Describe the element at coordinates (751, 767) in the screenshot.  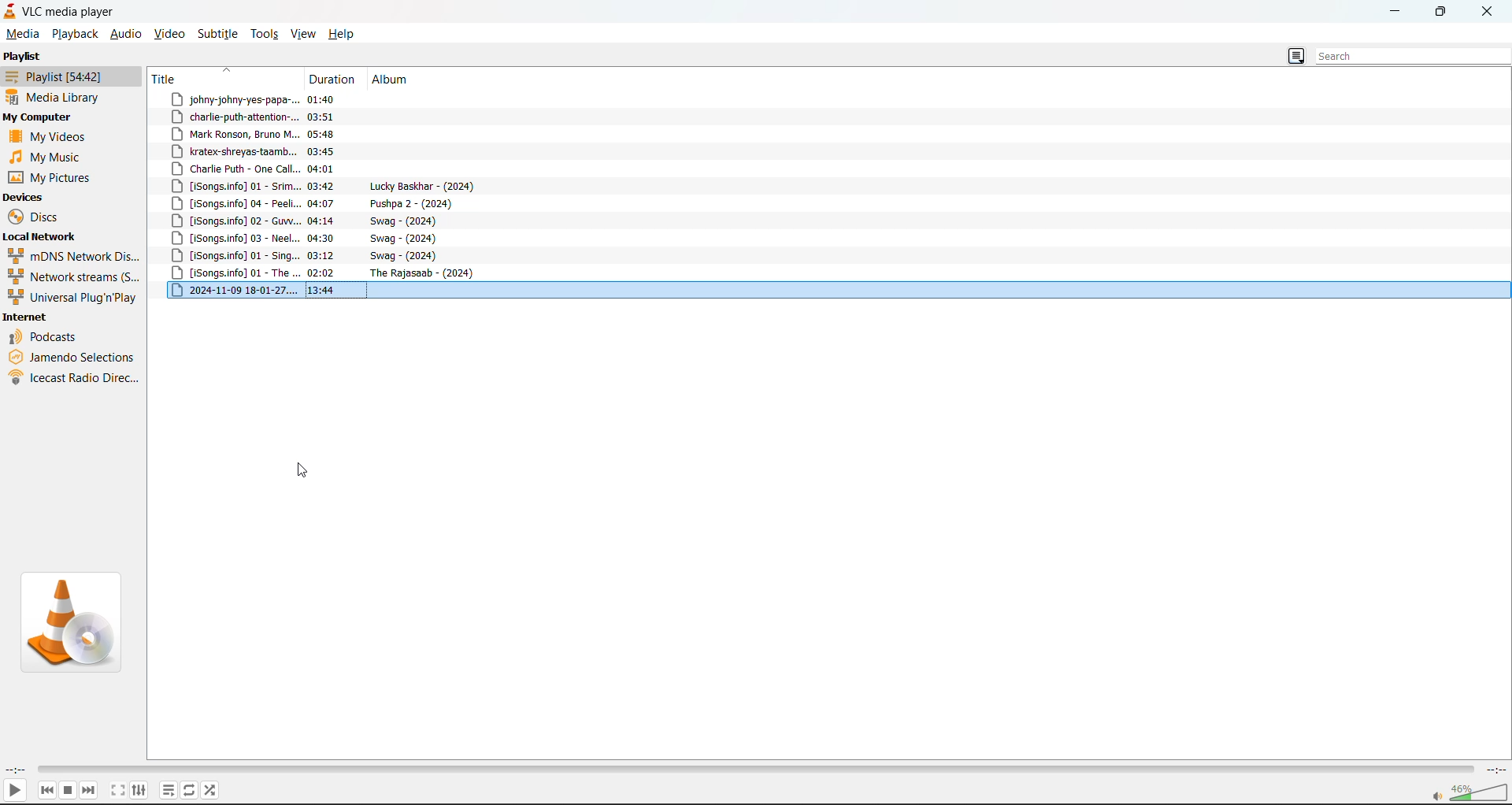
I see `track slider` at that location.